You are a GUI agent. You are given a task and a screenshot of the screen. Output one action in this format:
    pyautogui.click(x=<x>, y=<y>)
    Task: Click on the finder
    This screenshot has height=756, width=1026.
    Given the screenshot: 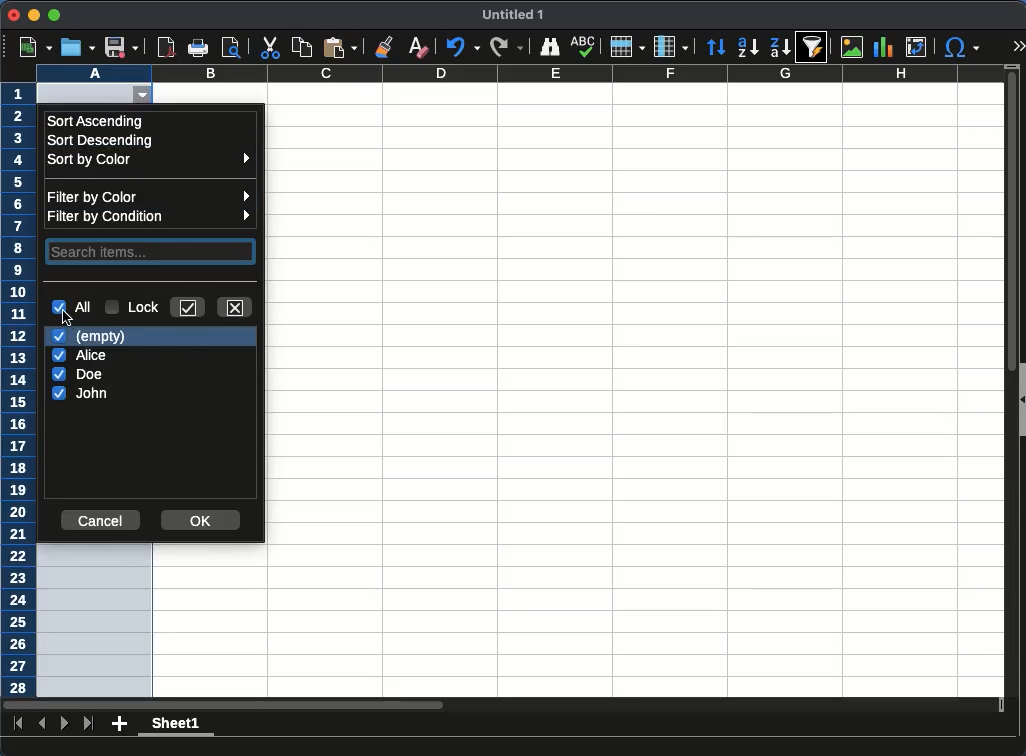 What is the action you would take?
    pyautogui.click(x=549, y=48)
    